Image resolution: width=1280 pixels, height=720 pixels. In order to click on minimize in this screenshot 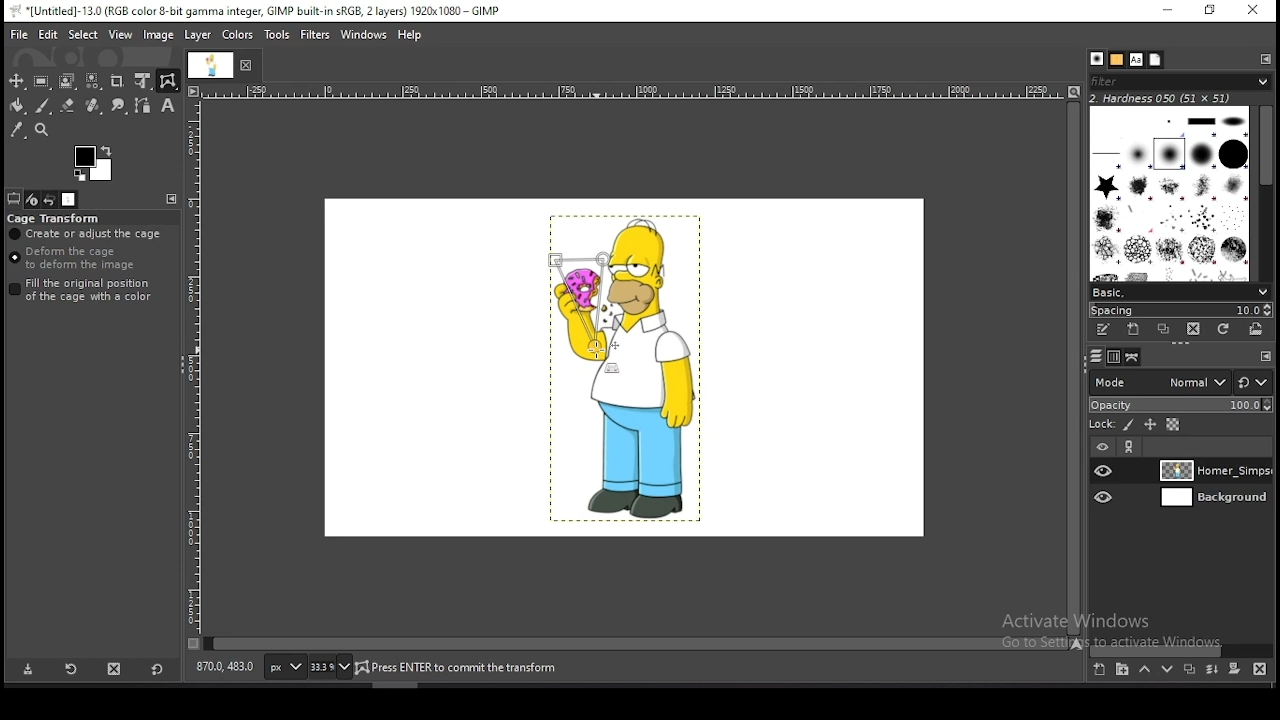, I will do `click(1168, 11)`.